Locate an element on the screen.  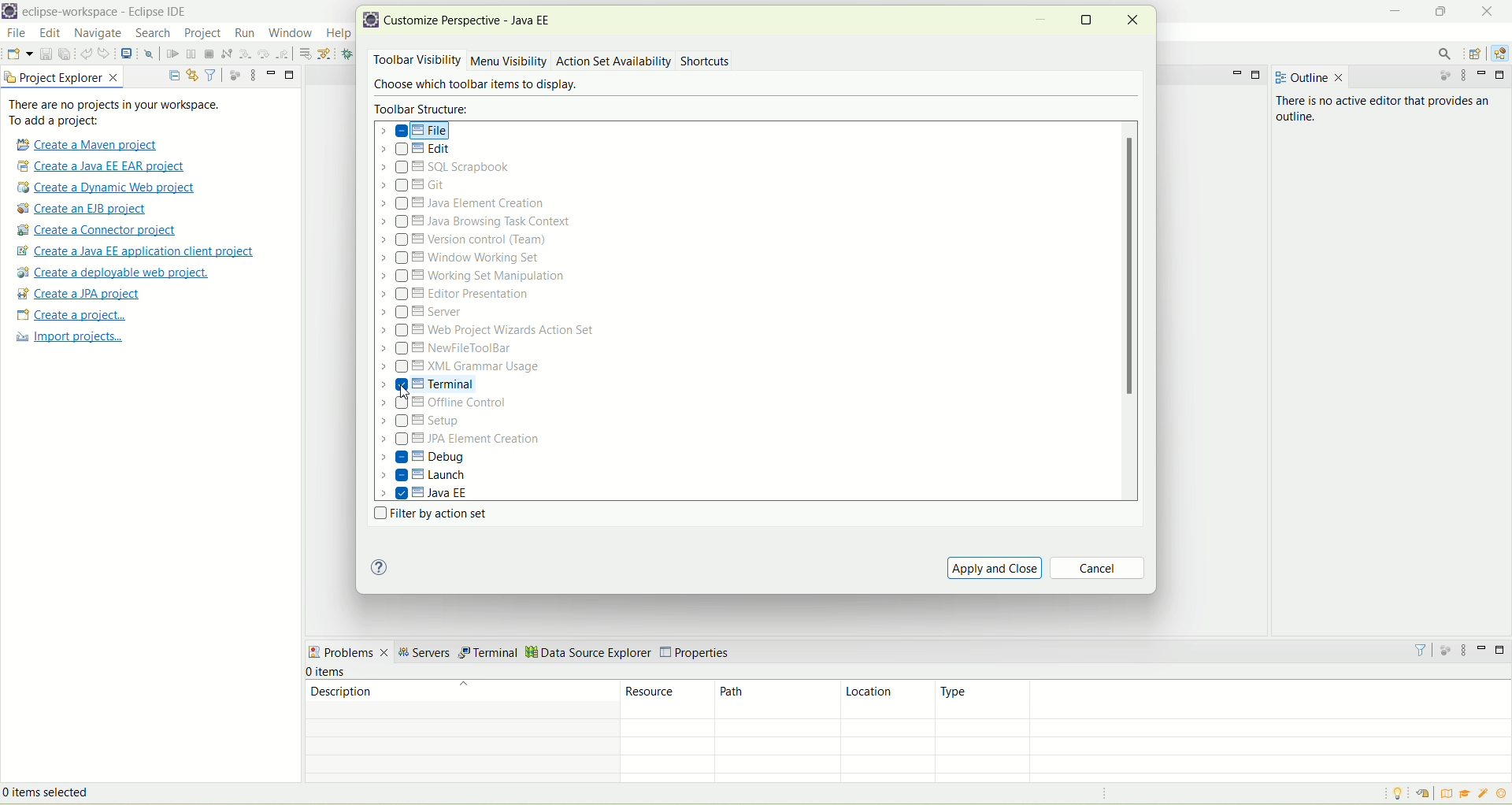
maximize is located at coordinates (1438, 9).